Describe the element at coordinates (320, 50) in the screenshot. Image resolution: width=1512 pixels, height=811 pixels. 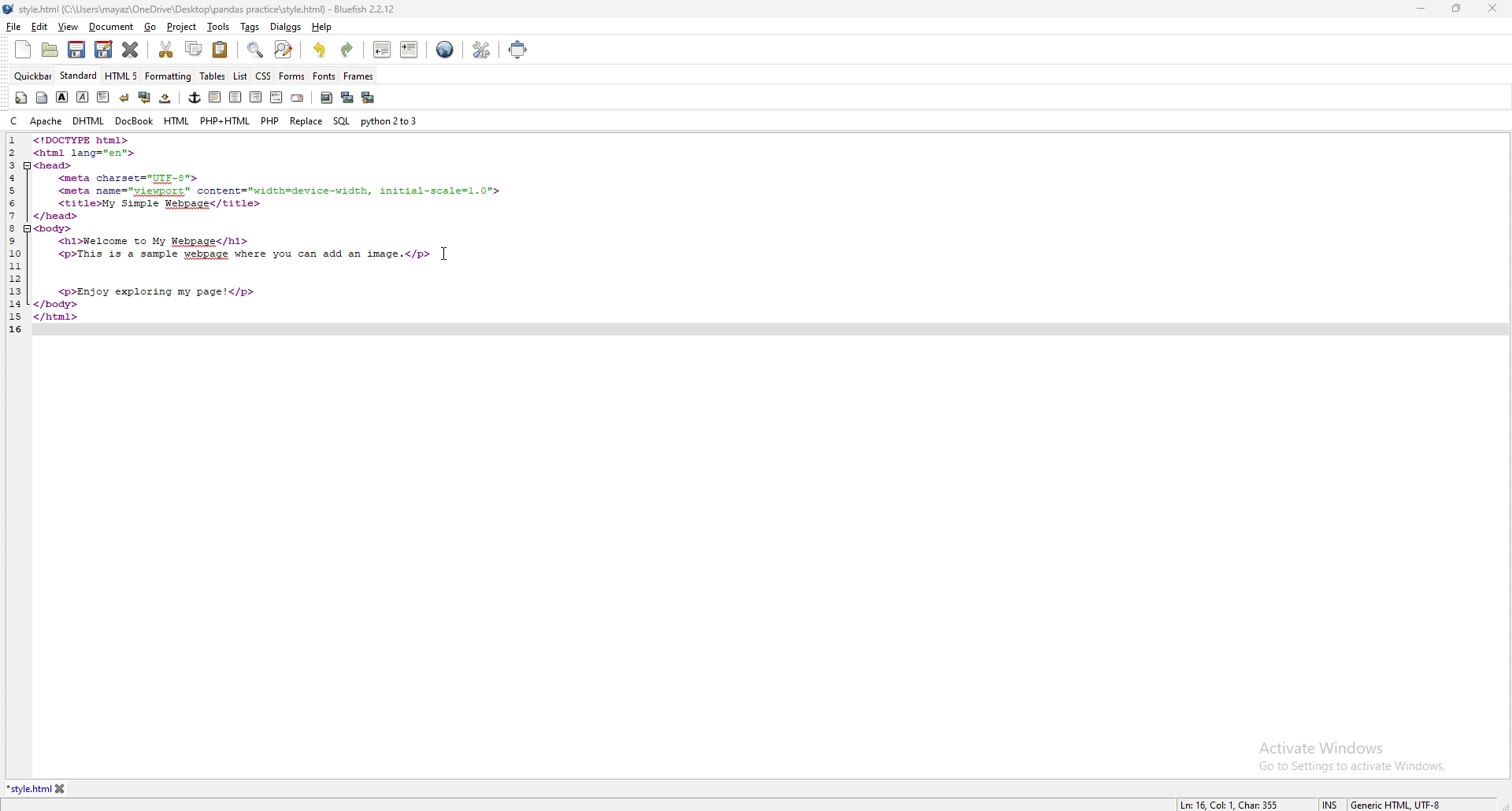
I see `undo` at that location.